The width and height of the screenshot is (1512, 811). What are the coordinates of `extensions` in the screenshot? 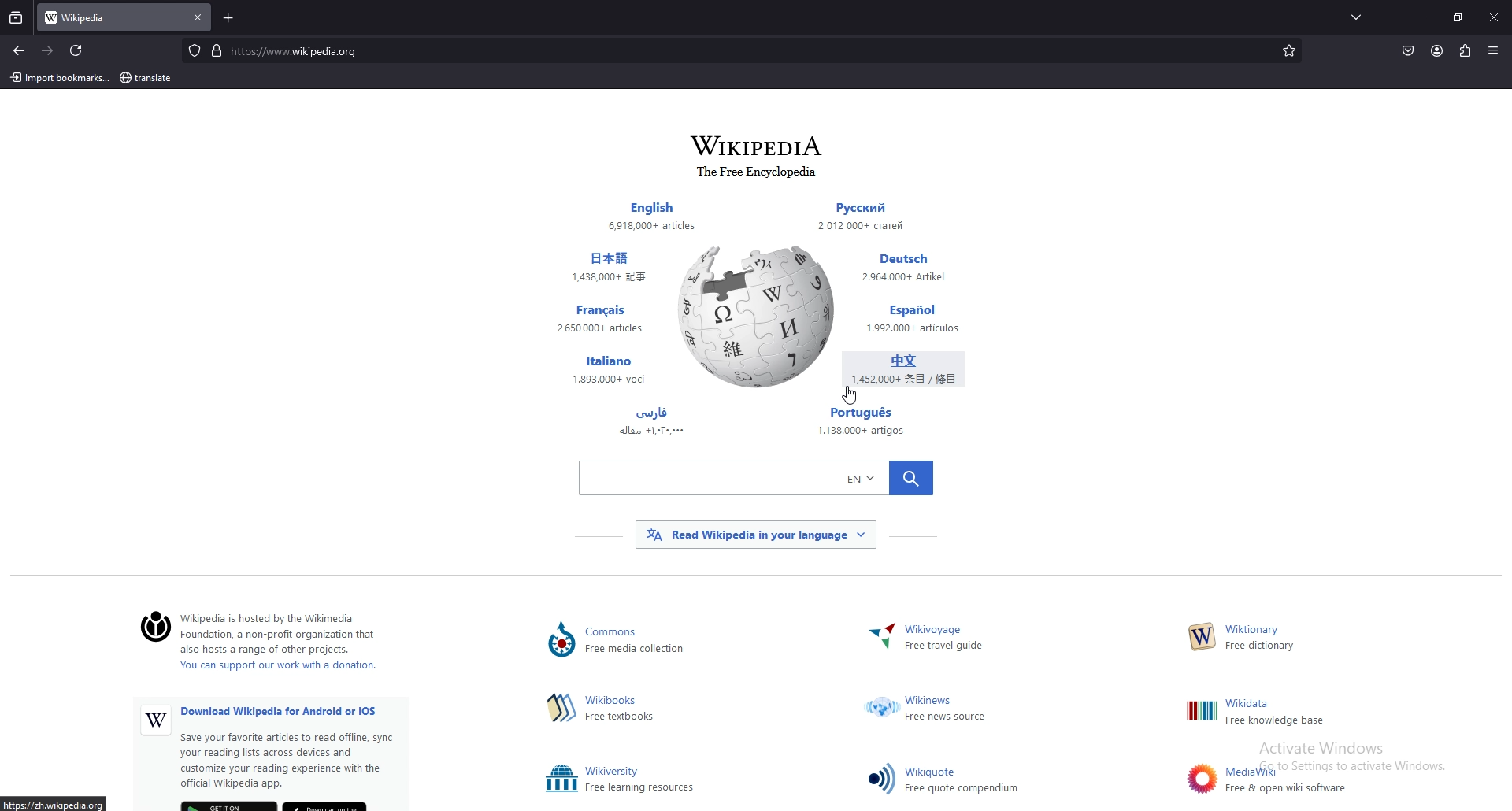 It's located at (1464, 52).